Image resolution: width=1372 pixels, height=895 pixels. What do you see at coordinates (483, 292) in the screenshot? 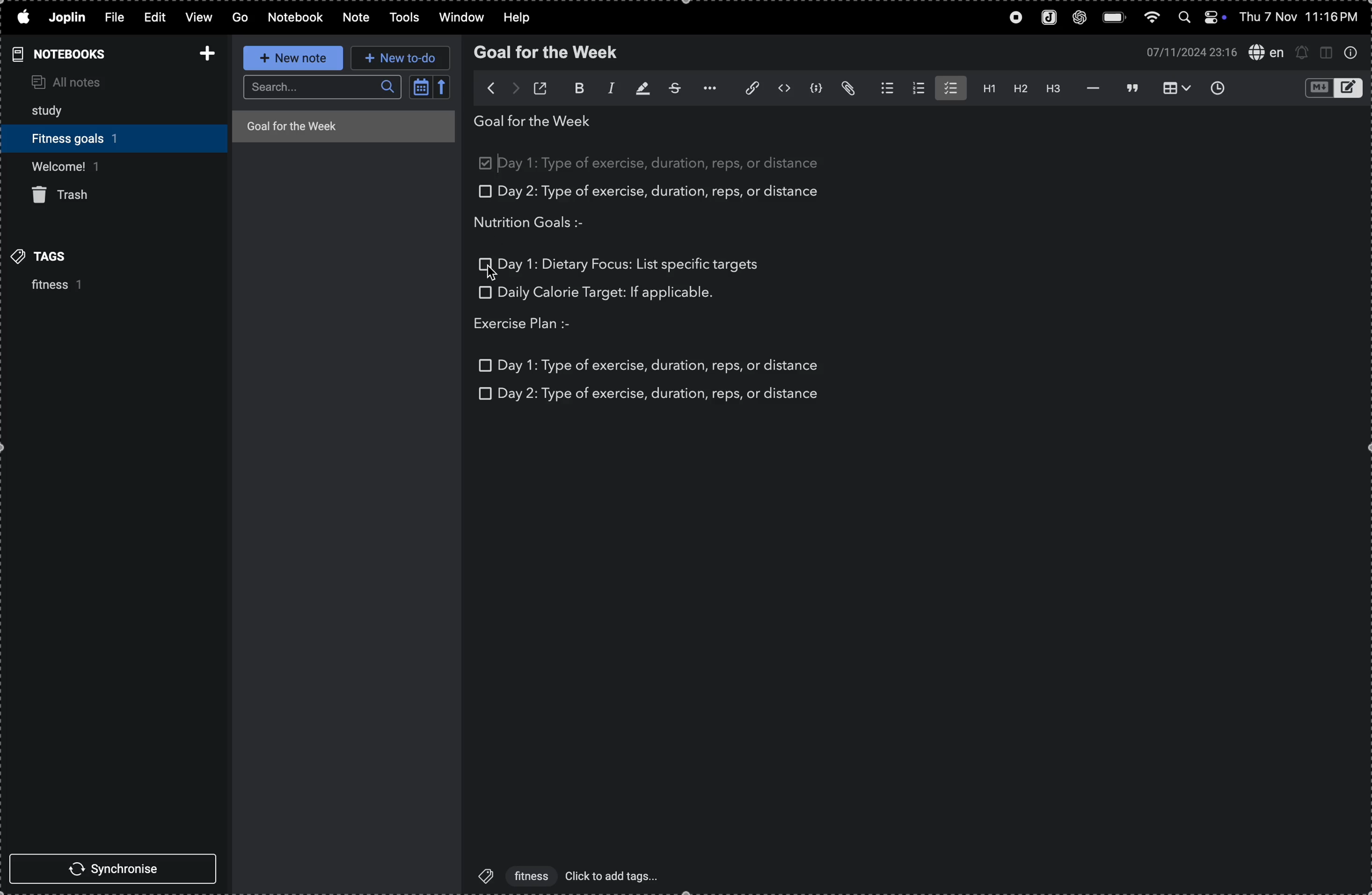
I see `checkbox` at bounding box center [483, 292].